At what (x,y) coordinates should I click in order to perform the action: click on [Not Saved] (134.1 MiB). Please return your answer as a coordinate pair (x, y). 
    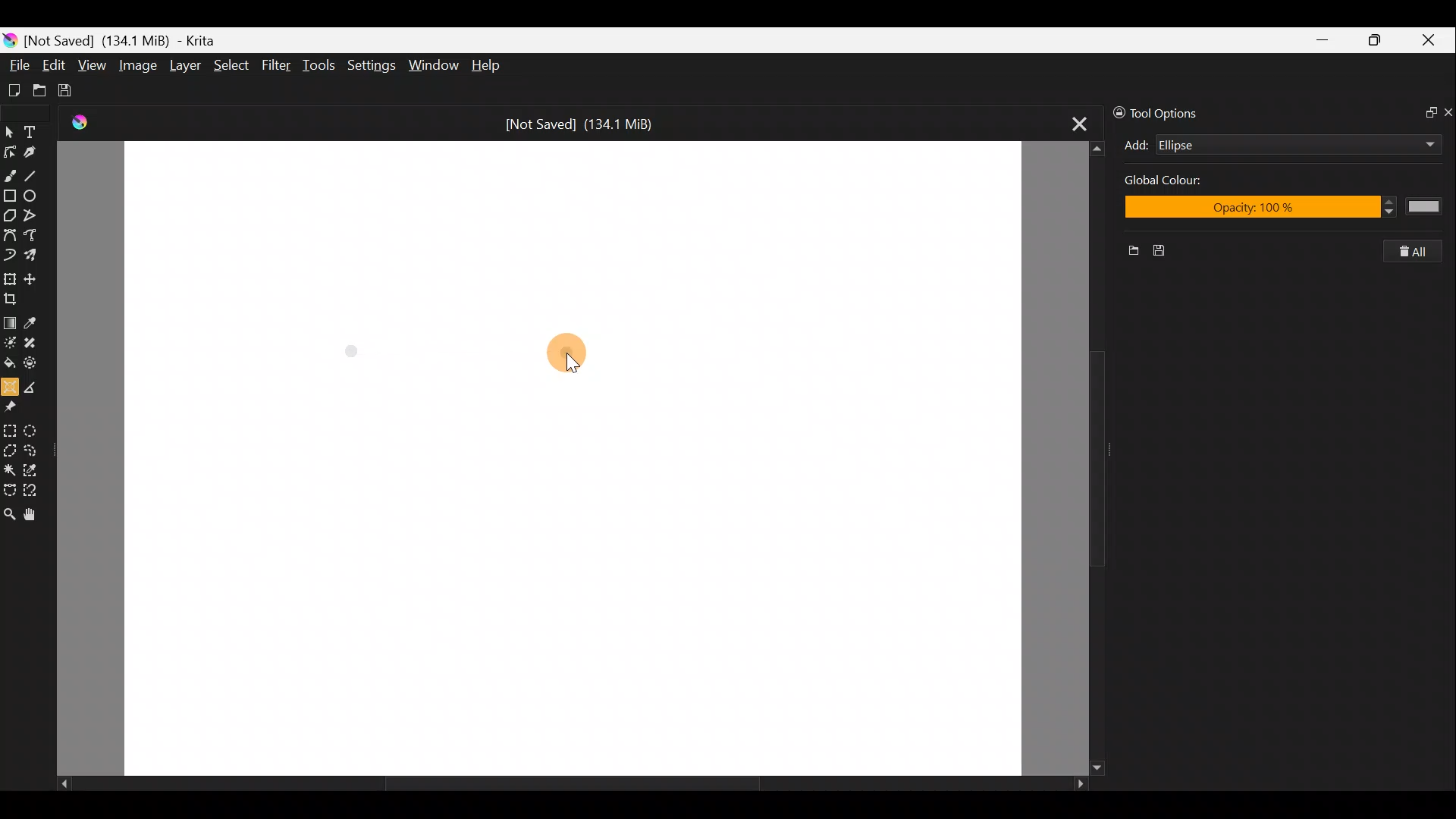
    Looking at the image, I should click on (587, 122).